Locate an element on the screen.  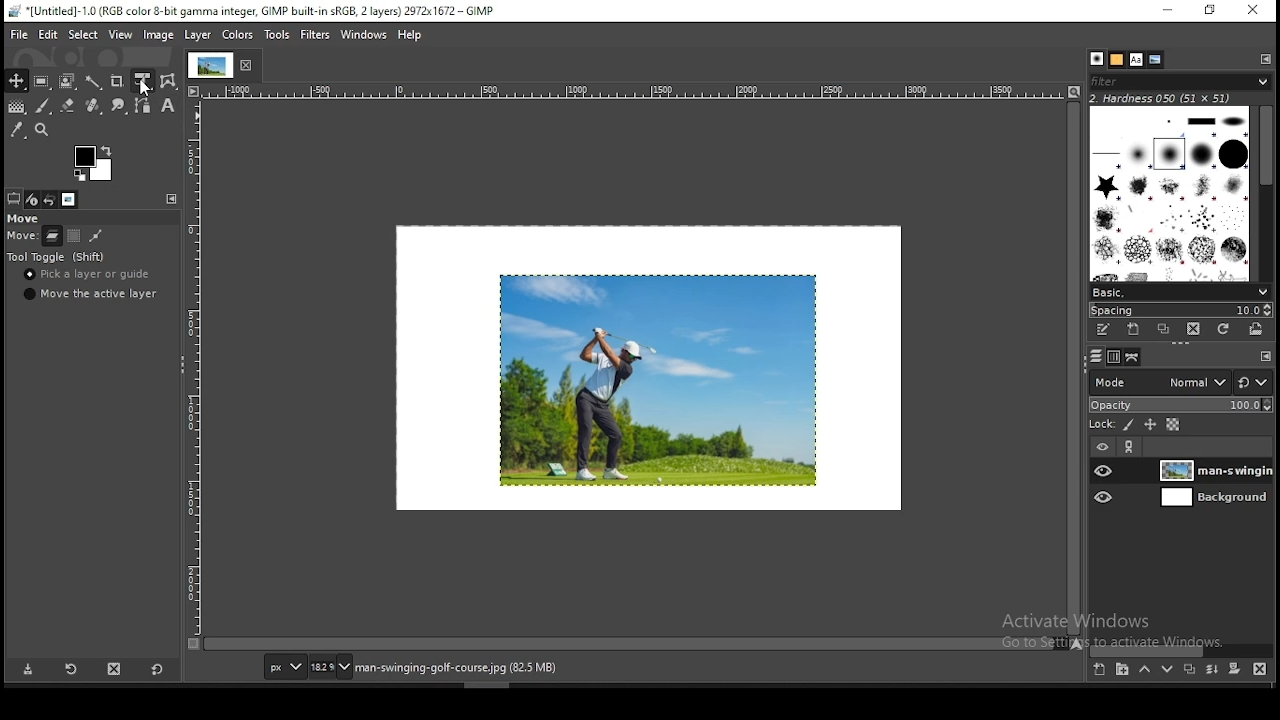
gradient tool is located at coordinates (20, 107).